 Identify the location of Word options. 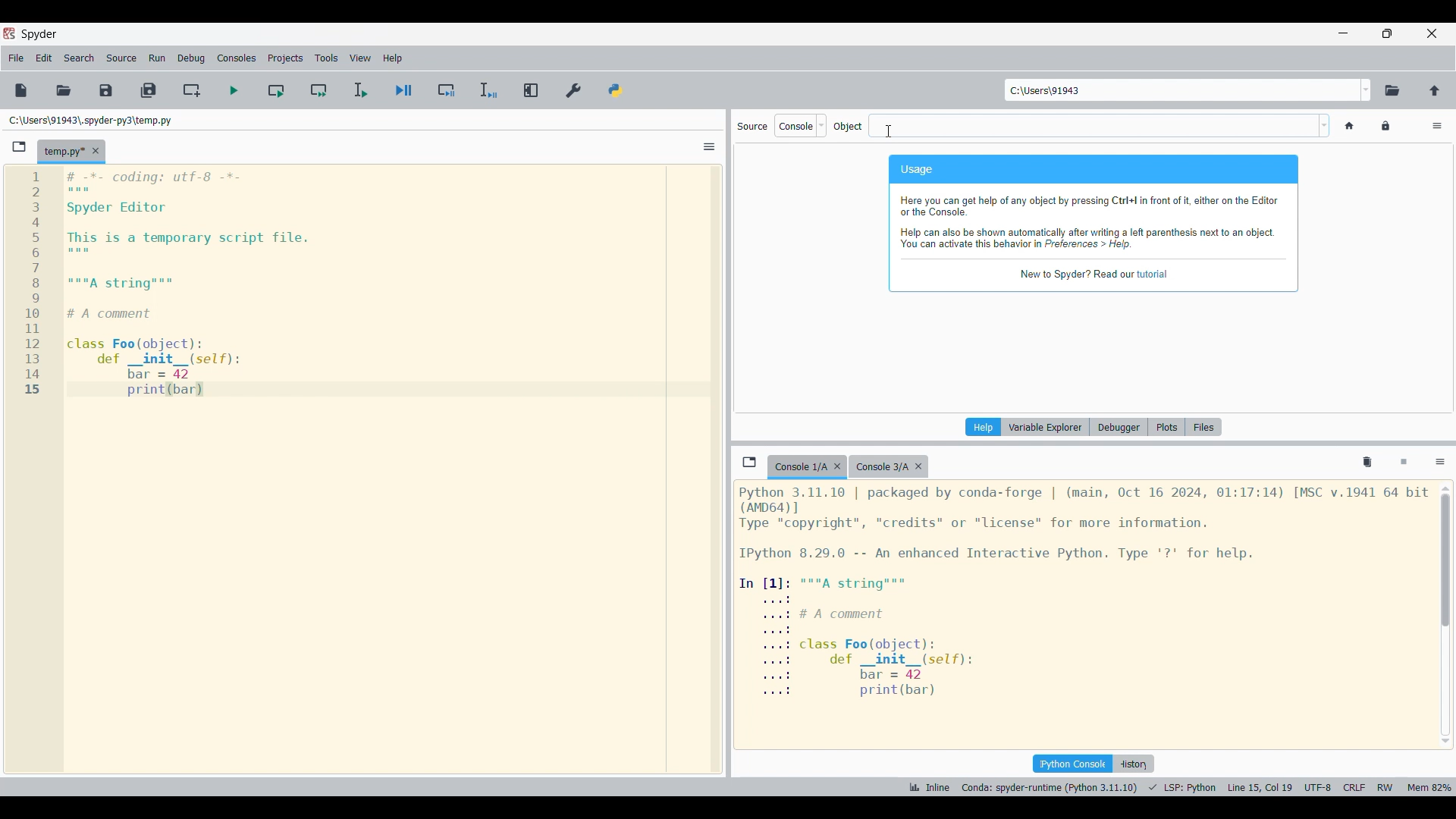
(1324, 125).